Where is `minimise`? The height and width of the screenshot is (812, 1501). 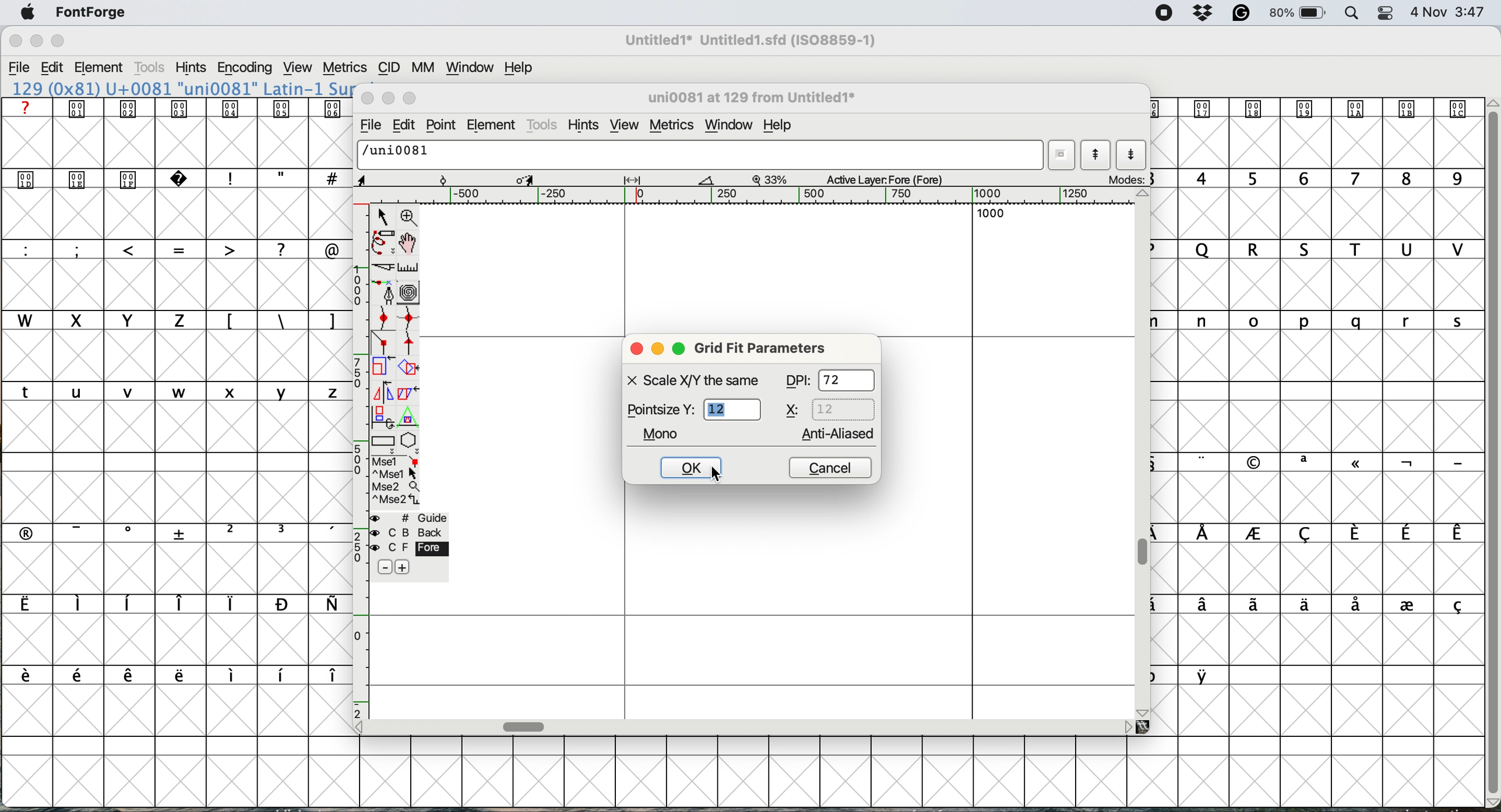 minimise is located at coordinates (656, 348).